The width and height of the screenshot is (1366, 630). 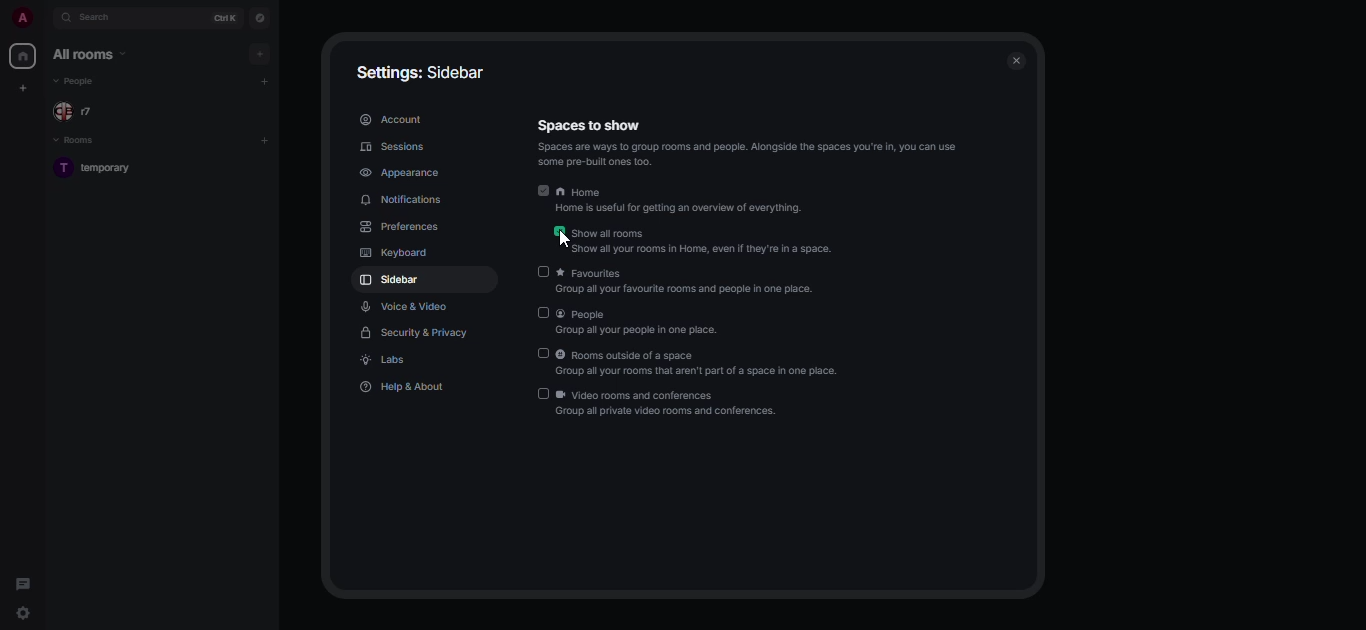 What do you see at coordinates (21, 88) in the screenshot?
I see `create space` at bounding box center [21, 88].